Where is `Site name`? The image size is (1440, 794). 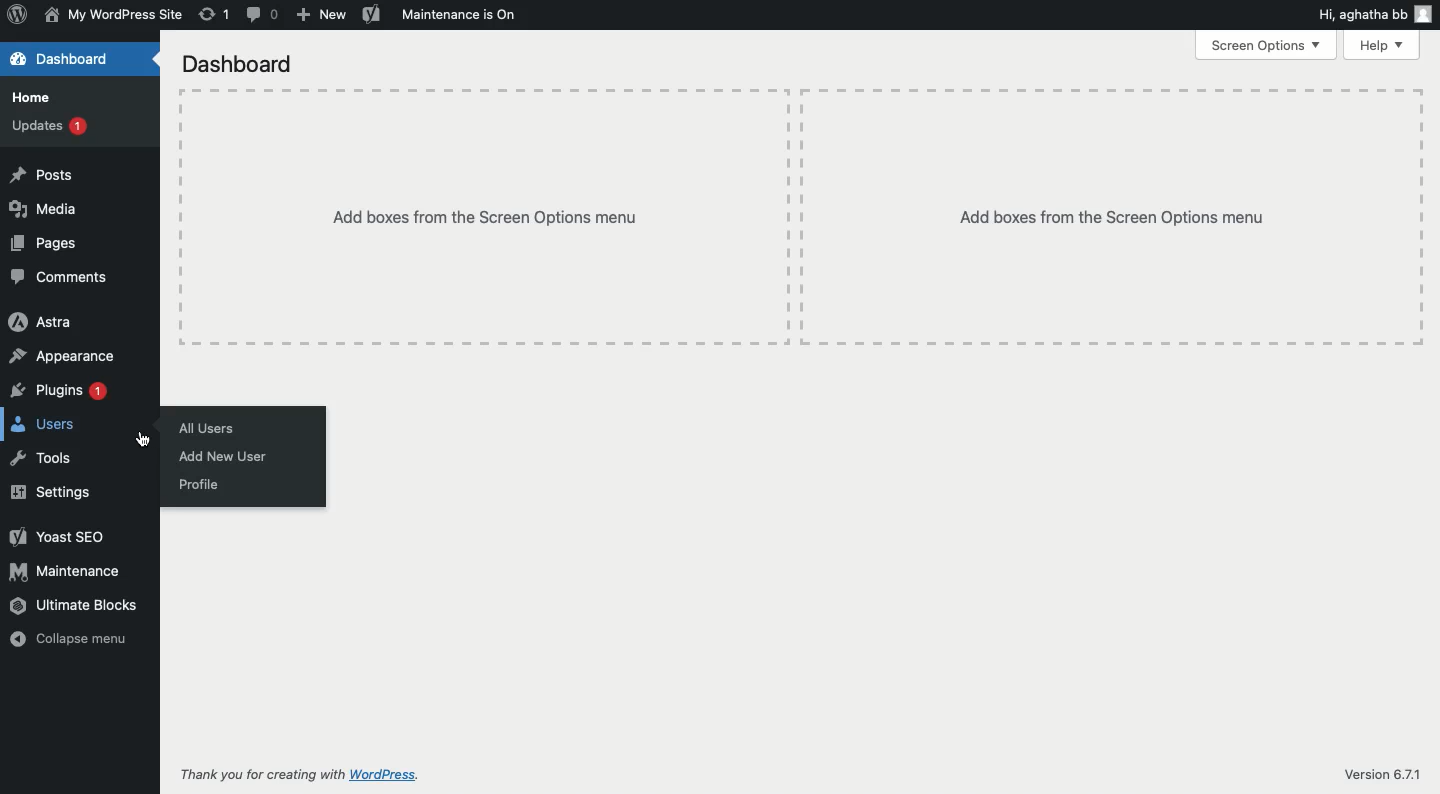 Site name is located at coordinates (112, 17).